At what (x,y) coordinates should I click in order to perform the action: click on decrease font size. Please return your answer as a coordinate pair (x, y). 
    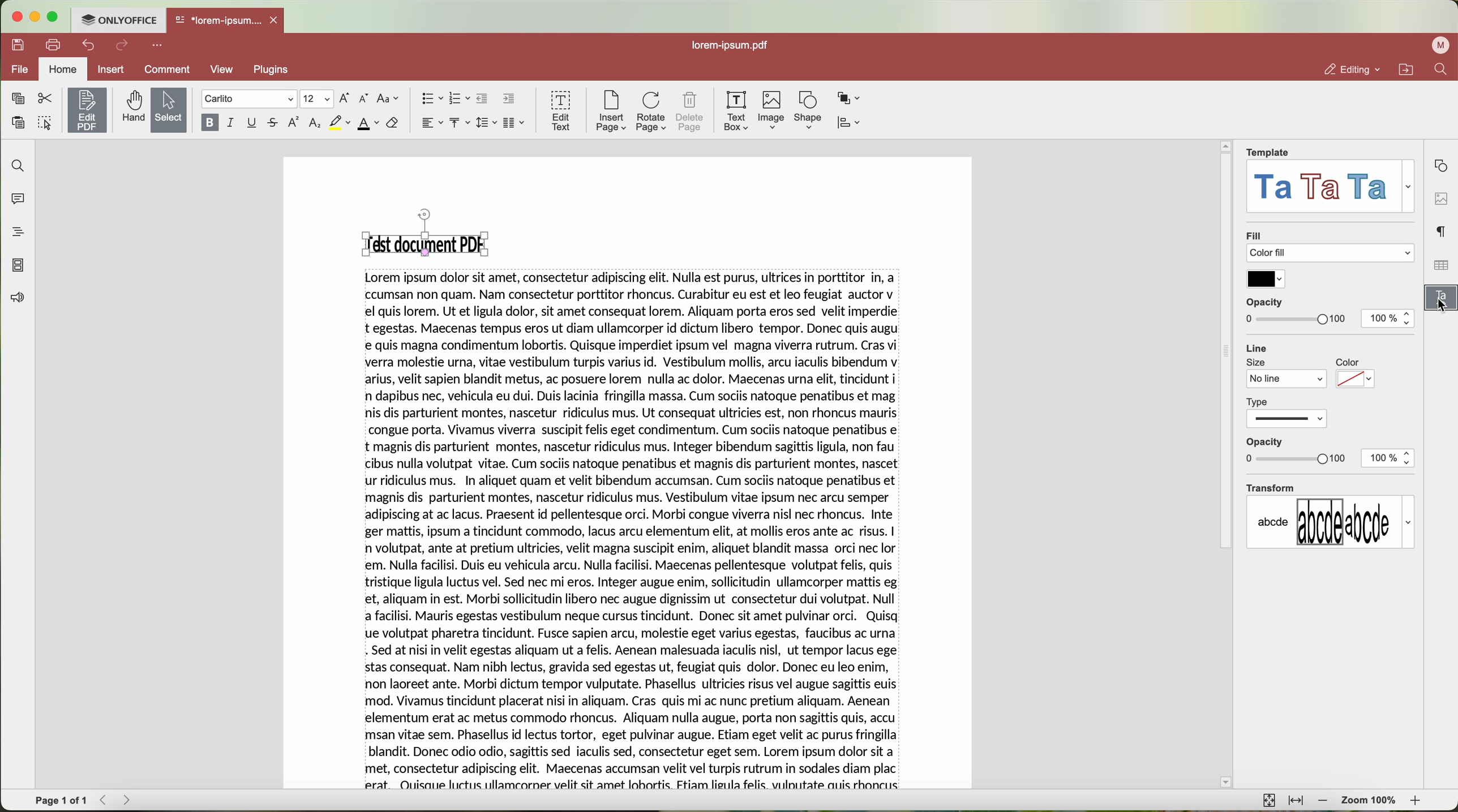
    Looking at the image, I should click on (366, 98).